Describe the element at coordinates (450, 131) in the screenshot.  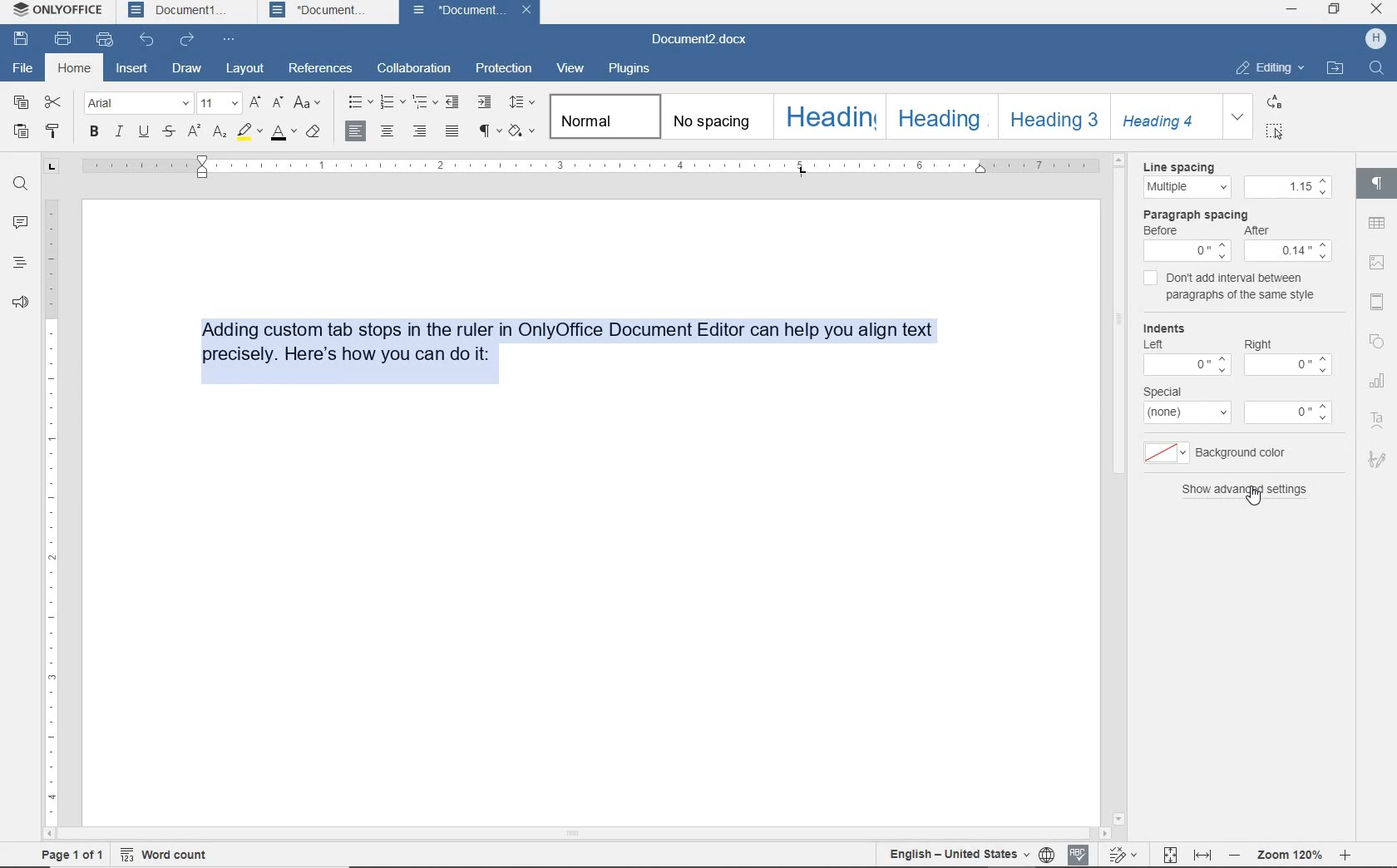
I see `justified` at that location.